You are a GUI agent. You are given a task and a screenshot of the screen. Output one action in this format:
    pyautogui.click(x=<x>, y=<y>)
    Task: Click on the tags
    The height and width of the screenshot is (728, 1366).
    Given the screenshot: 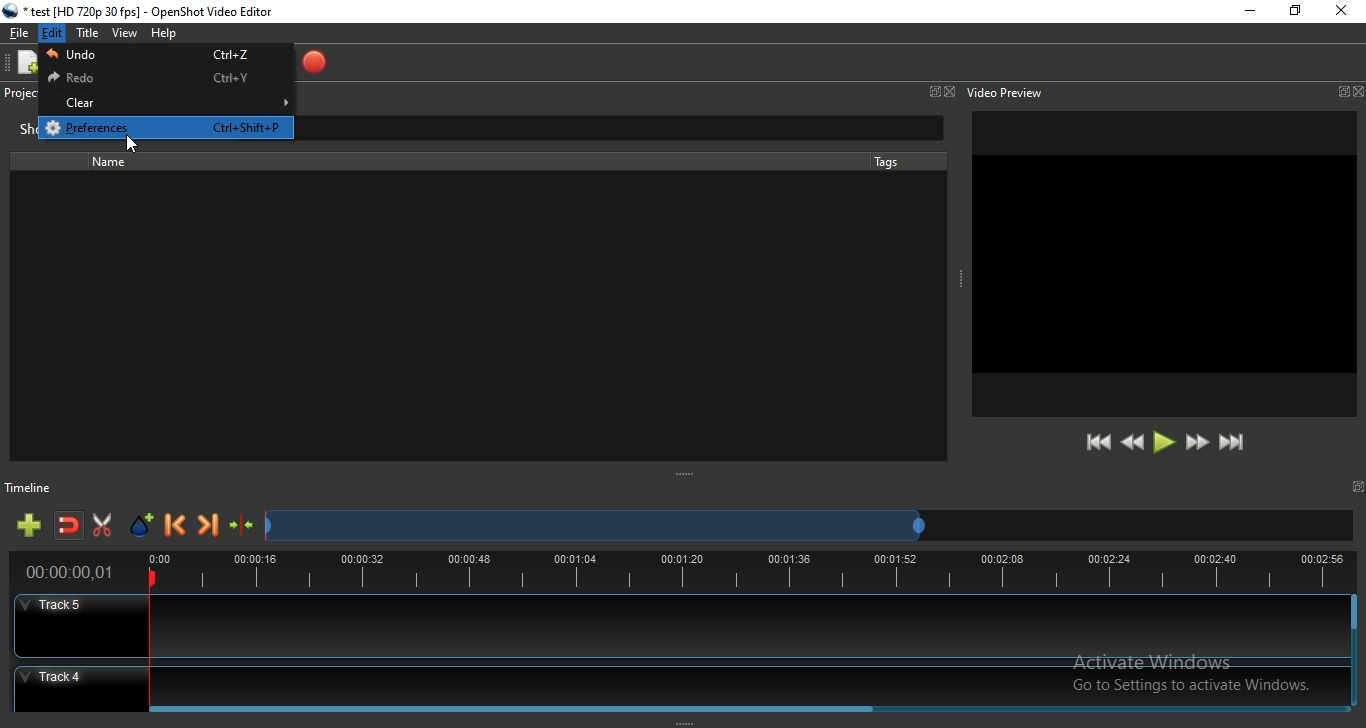 What is the action you would take?
    pyautogui.click(x=886, y=161)
    